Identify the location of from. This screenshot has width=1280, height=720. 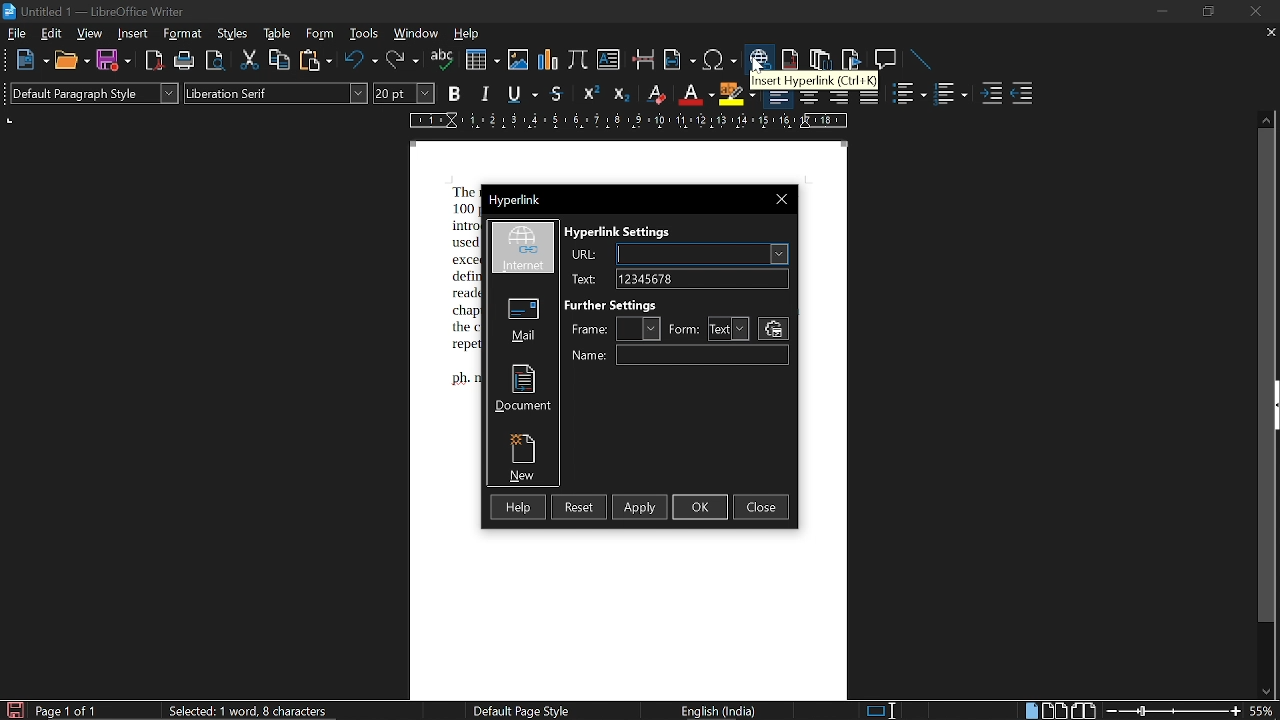
(684, 329).